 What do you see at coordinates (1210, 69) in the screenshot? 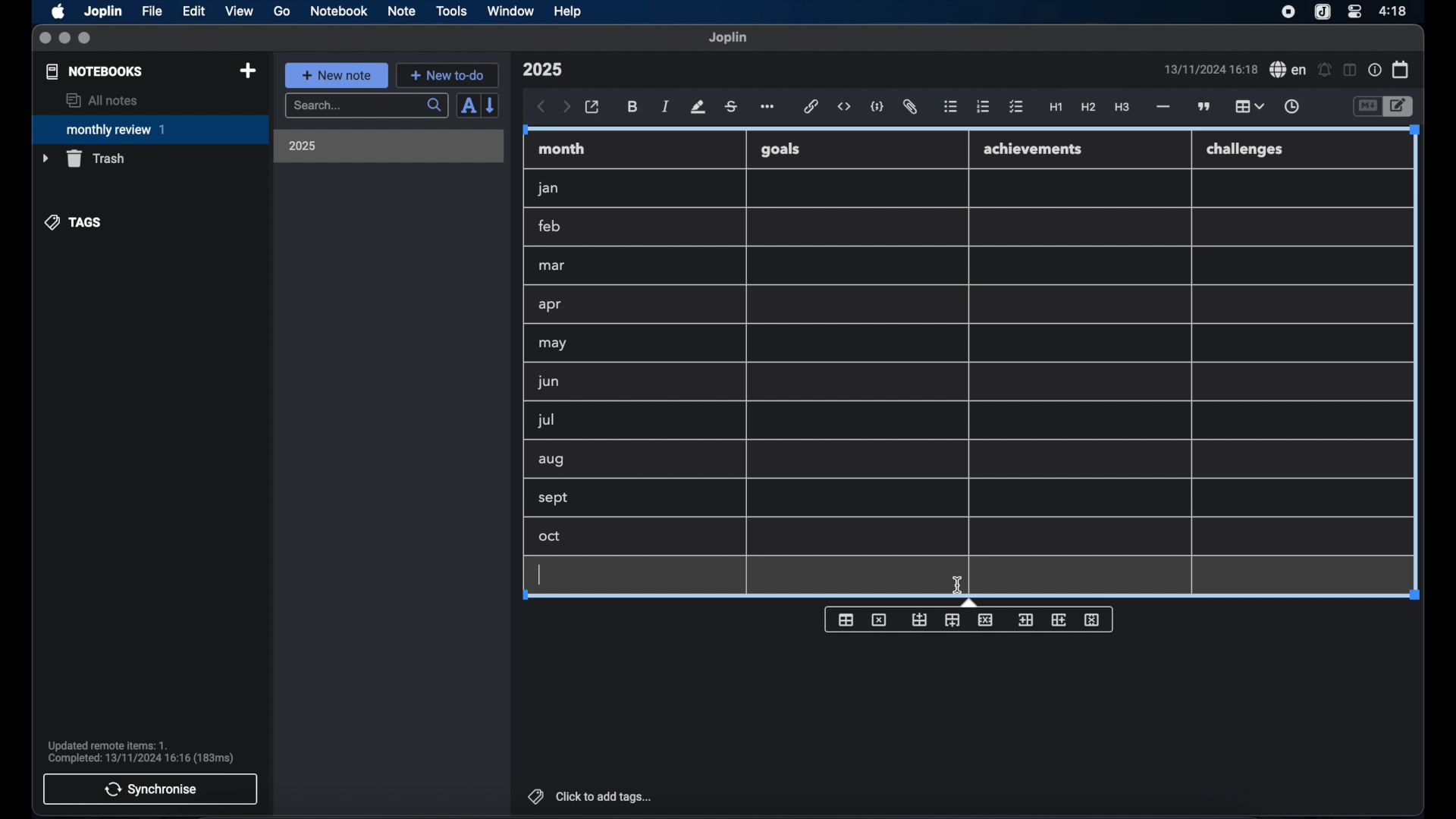
I see `date` at bounding box center [1210, 69].